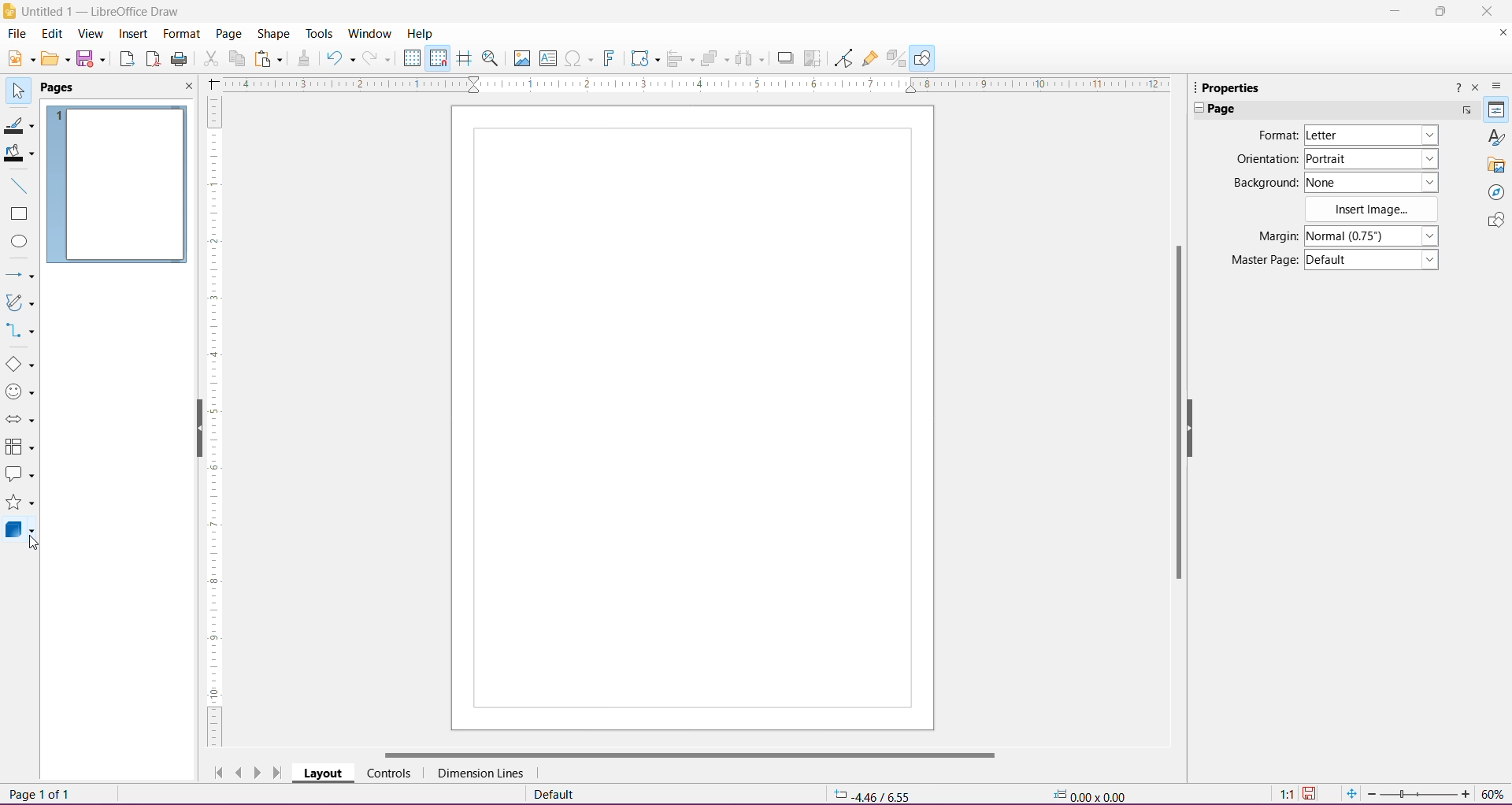 Image resolution: width=1512 pixels, height=805 pixels. I want to click on Zoom In, so click(1466, 793).